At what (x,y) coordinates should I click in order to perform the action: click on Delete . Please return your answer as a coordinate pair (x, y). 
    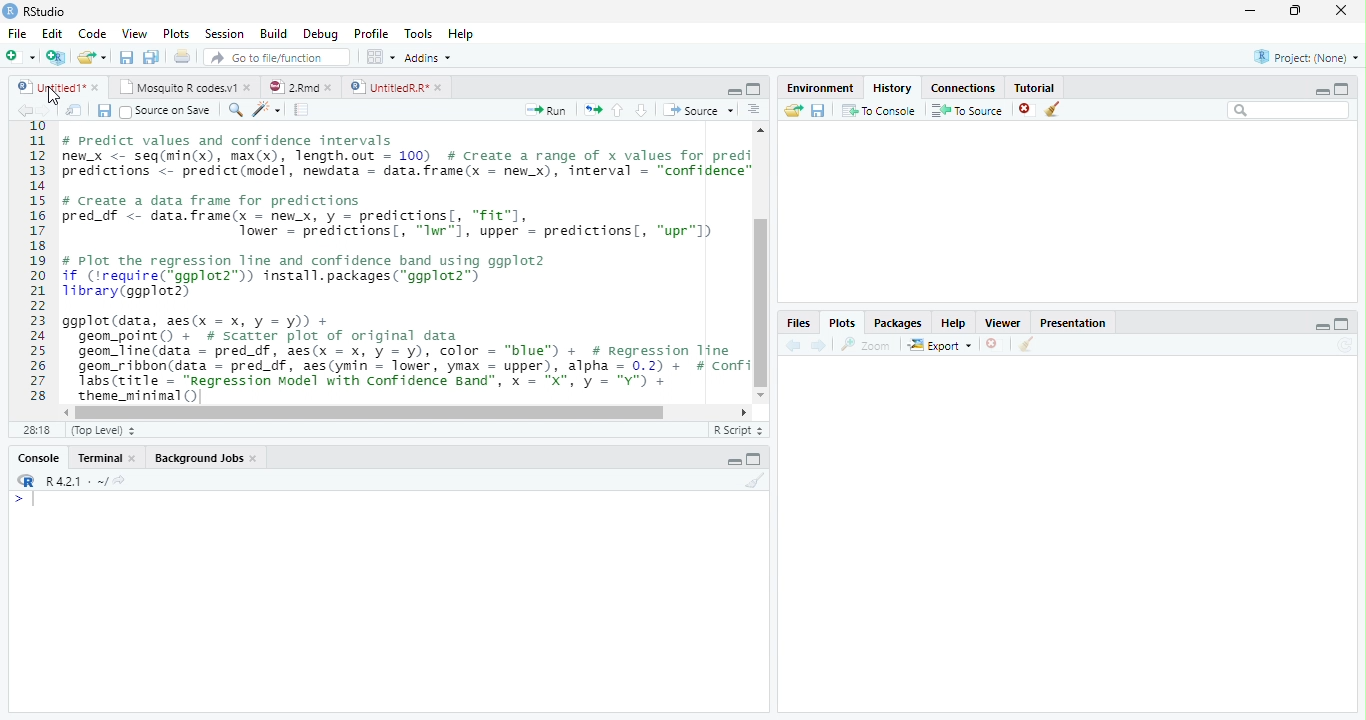
    Looking at the image, I should click on (994, 345).